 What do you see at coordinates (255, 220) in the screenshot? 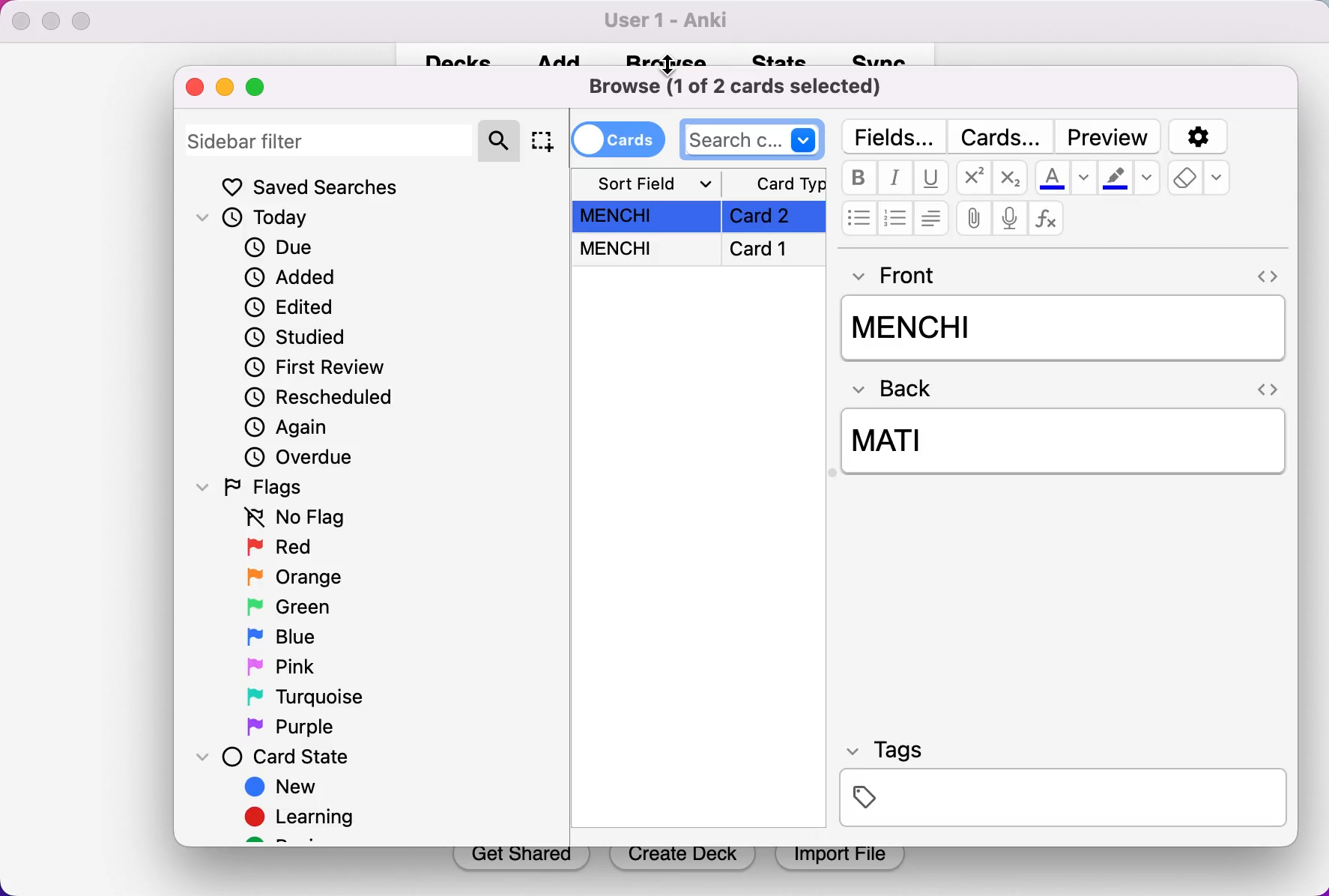
I see `today` at bounding box center [255, 220].